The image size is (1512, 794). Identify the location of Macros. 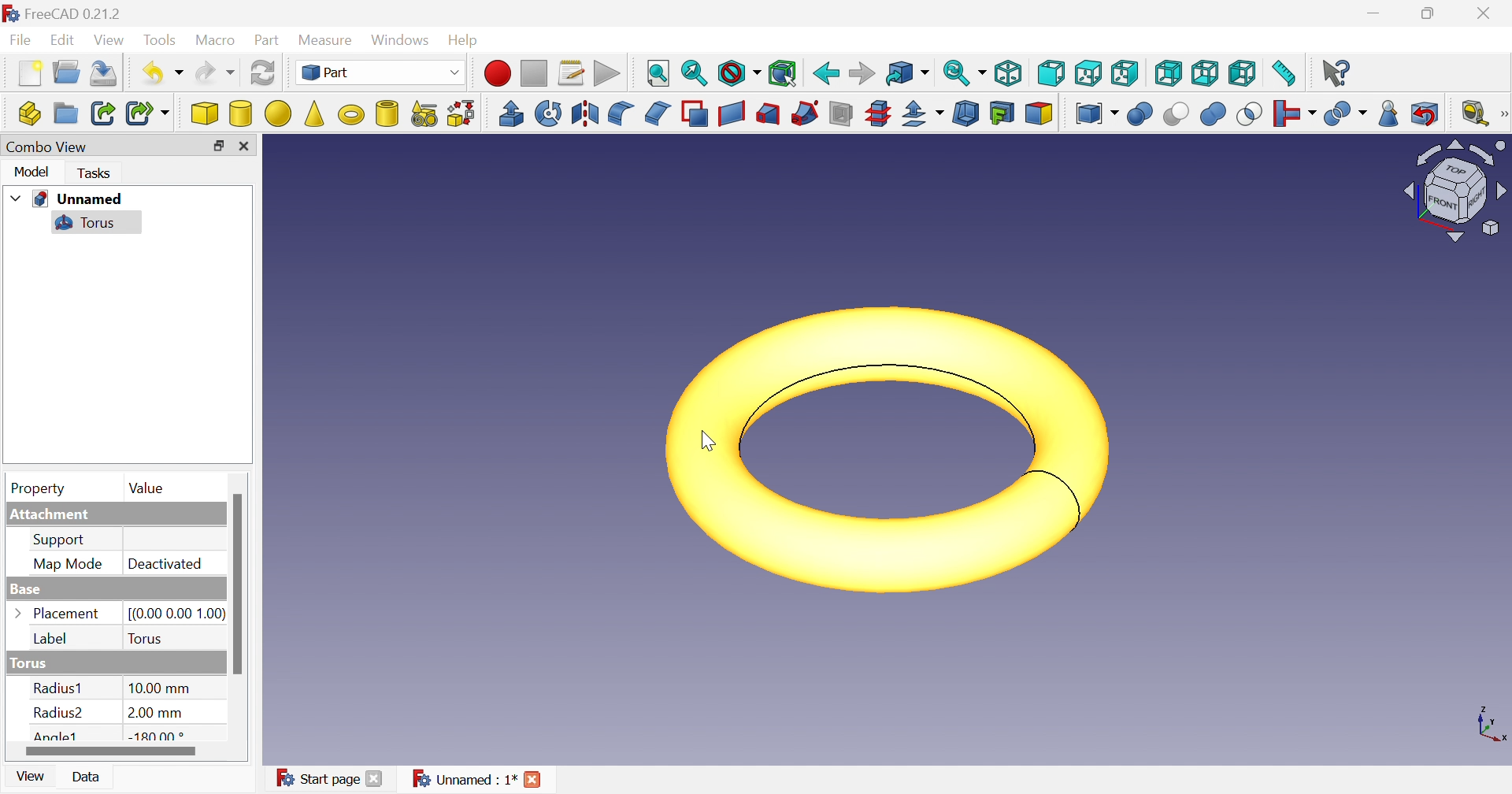
(569, 72).